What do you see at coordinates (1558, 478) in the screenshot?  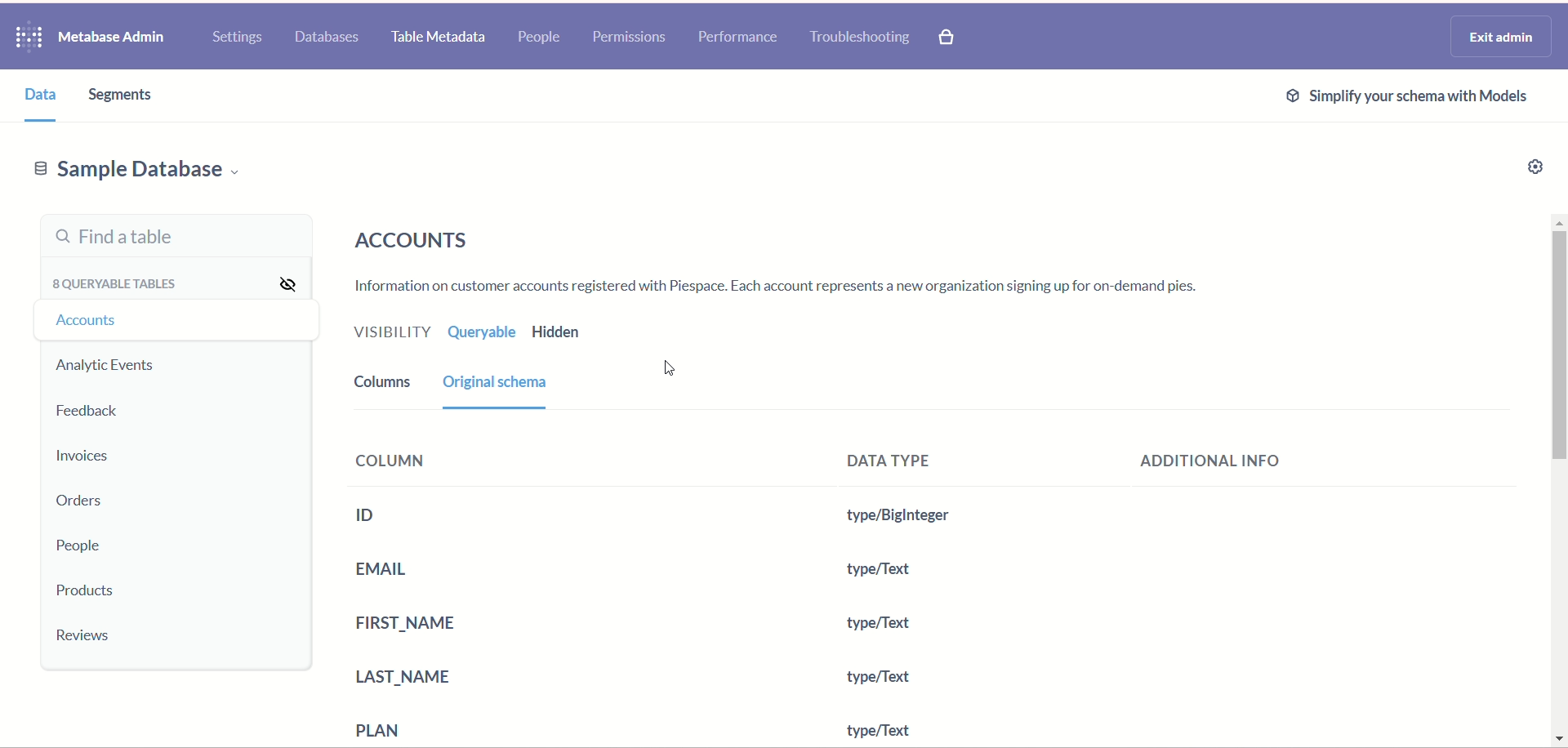 I see `vertical scroll bar` at bounding box center [1558, 478].